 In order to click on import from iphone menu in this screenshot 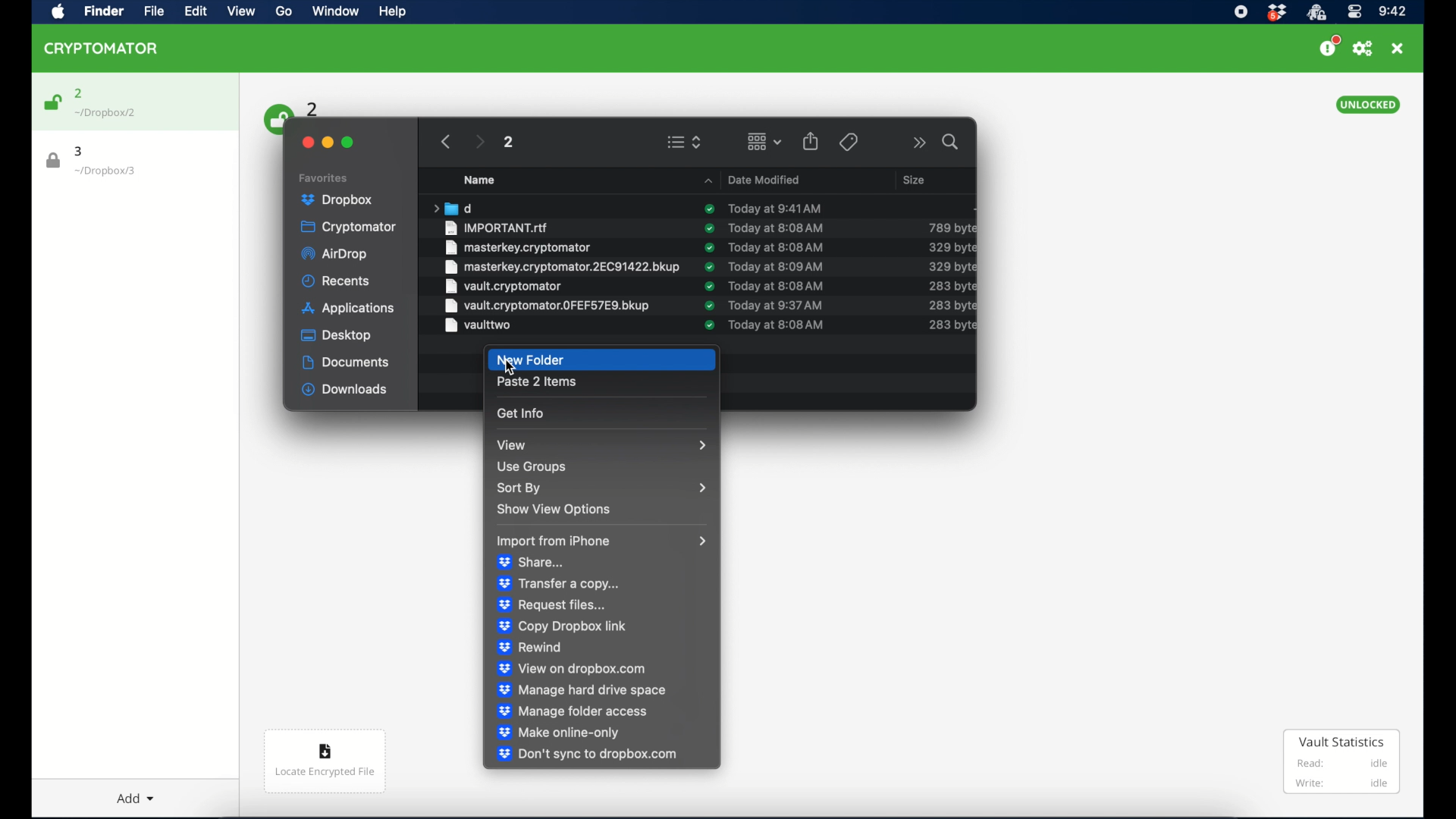, I will do `click(602, 541)`.